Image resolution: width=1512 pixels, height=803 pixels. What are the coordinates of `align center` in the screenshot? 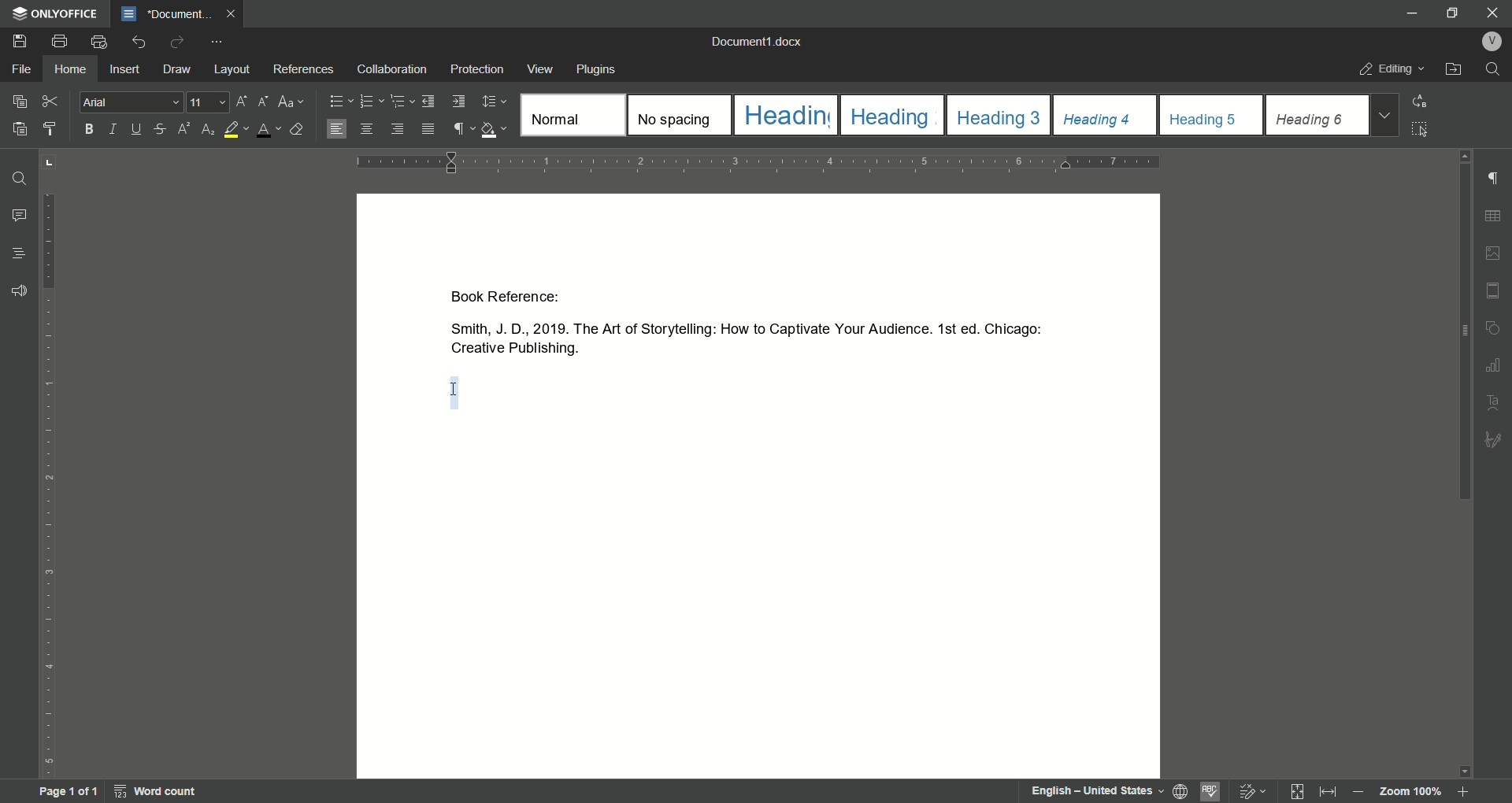 It's located at (366, 128).